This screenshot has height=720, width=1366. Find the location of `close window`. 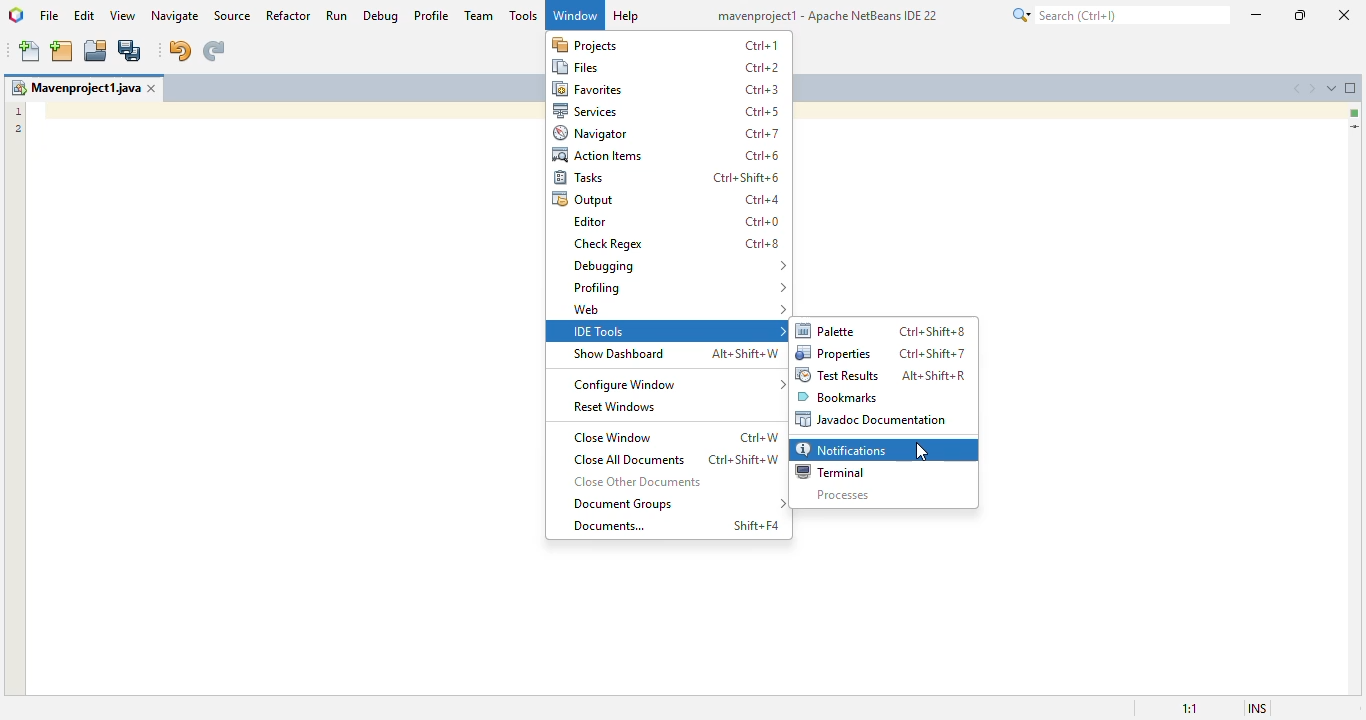

close window is located at coordinates (155, 88).